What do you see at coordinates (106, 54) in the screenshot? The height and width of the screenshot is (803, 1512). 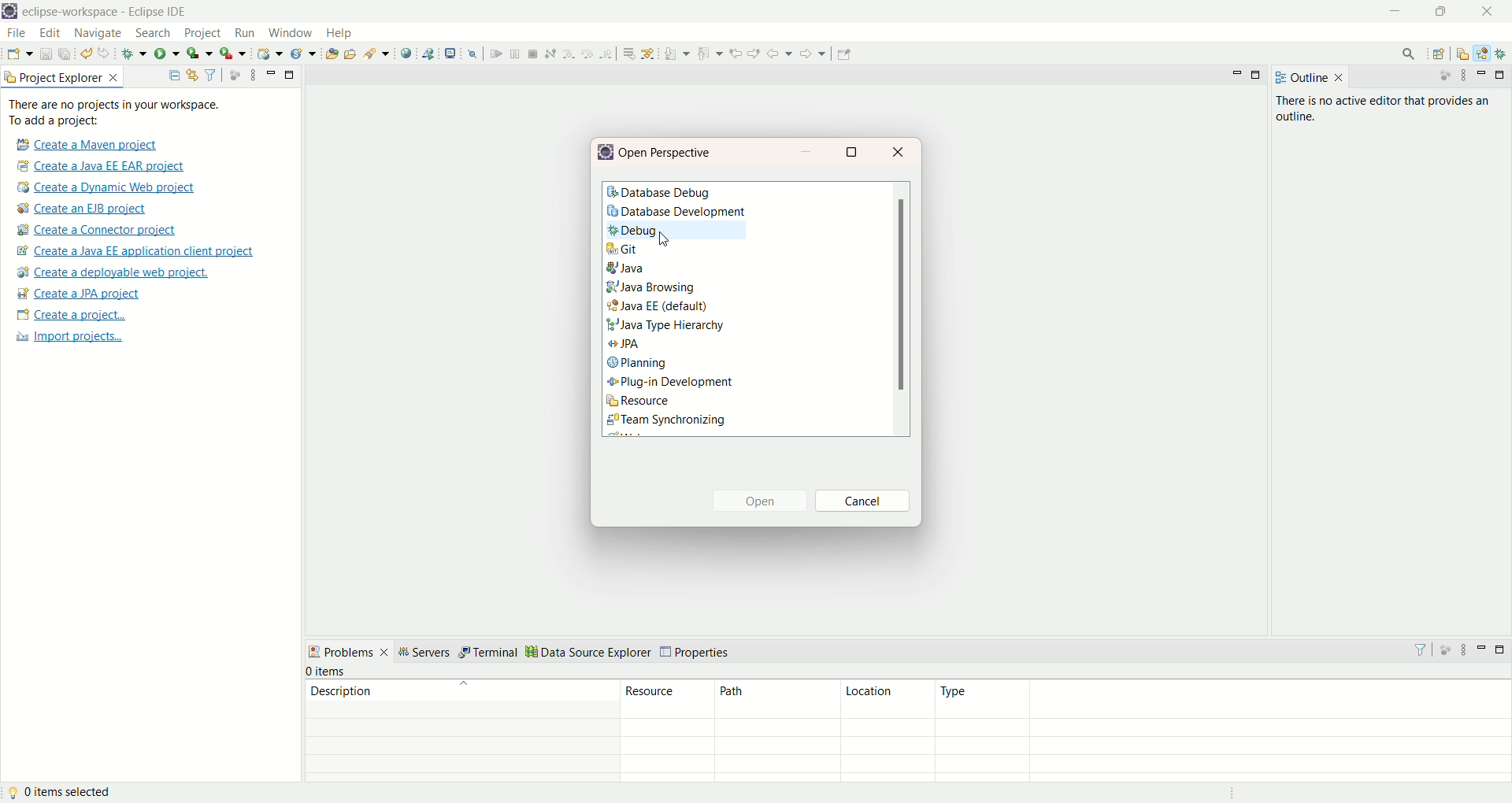 I see `redo` at bounding box center [106, 54].